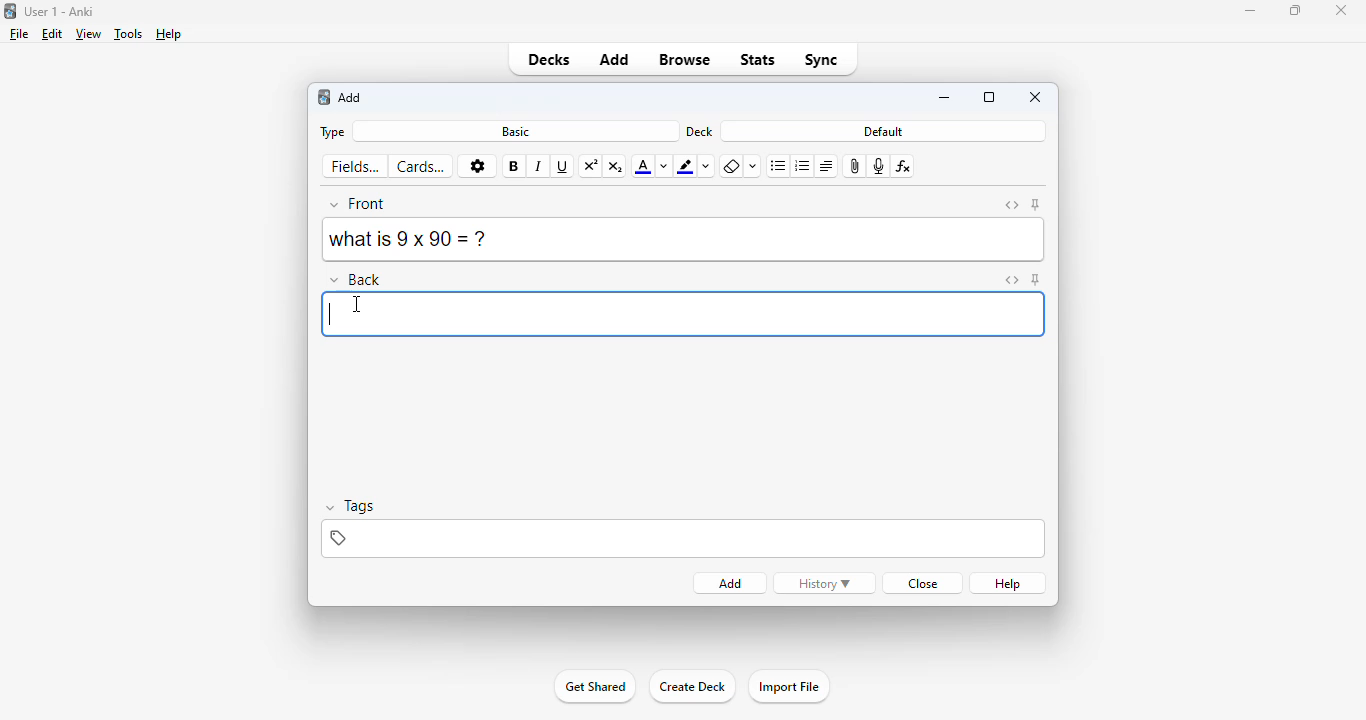 The image size is (1366, 720). I want to click on view, so click(89, 33).